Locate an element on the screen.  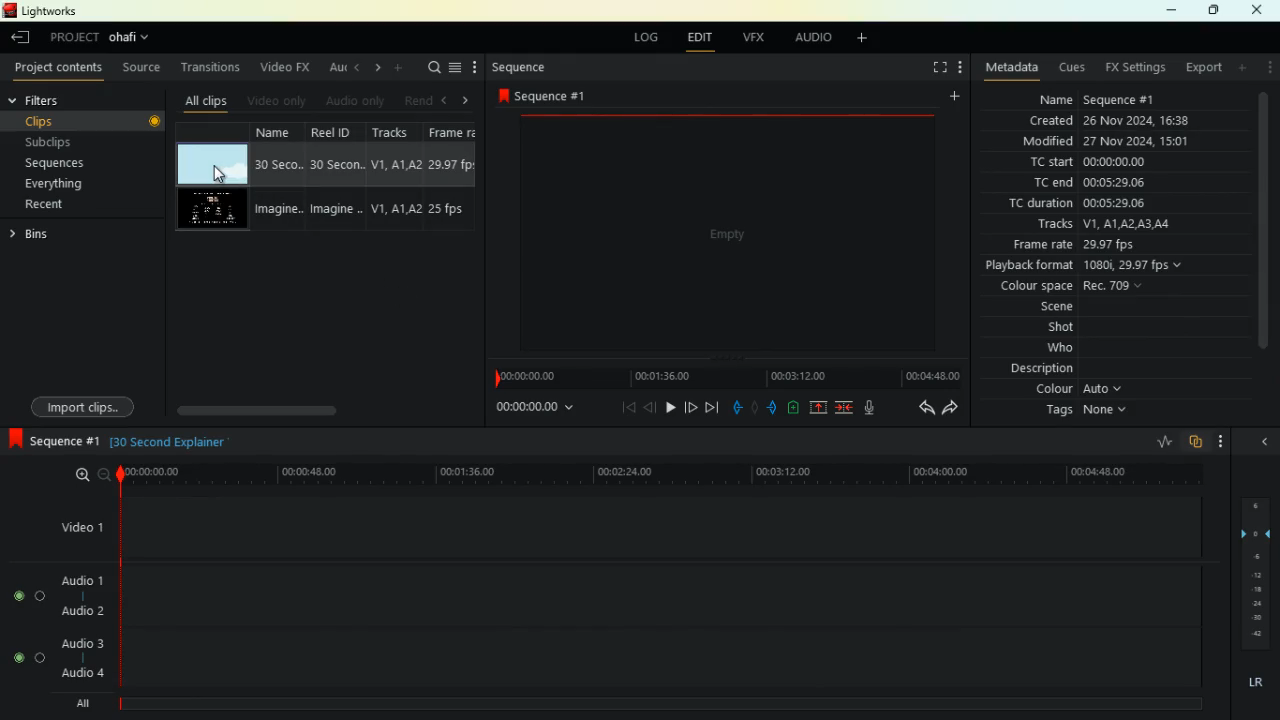
add is located at coordinates (866, 41).